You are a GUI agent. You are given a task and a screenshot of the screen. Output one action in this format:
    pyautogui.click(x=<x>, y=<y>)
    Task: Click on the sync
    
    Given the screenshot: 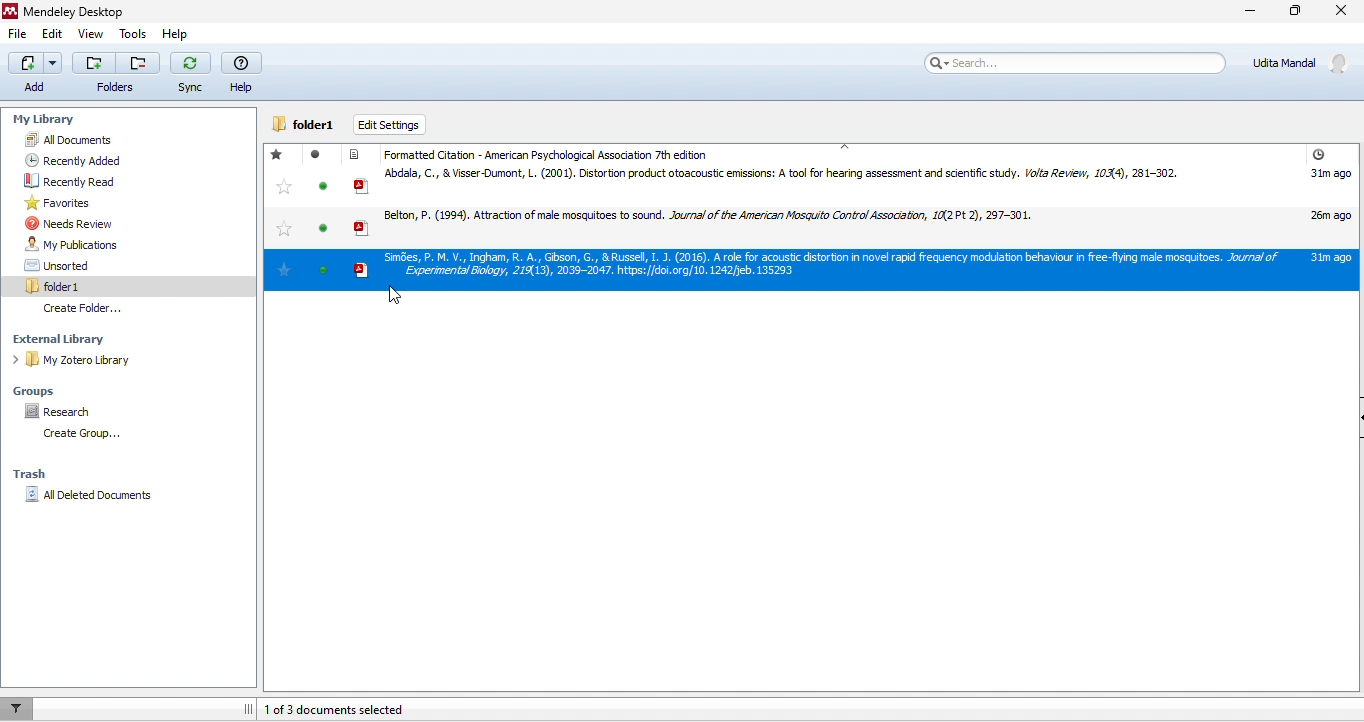 What is the action you would take?
    pyautogui.click(x=188, y=74)
    